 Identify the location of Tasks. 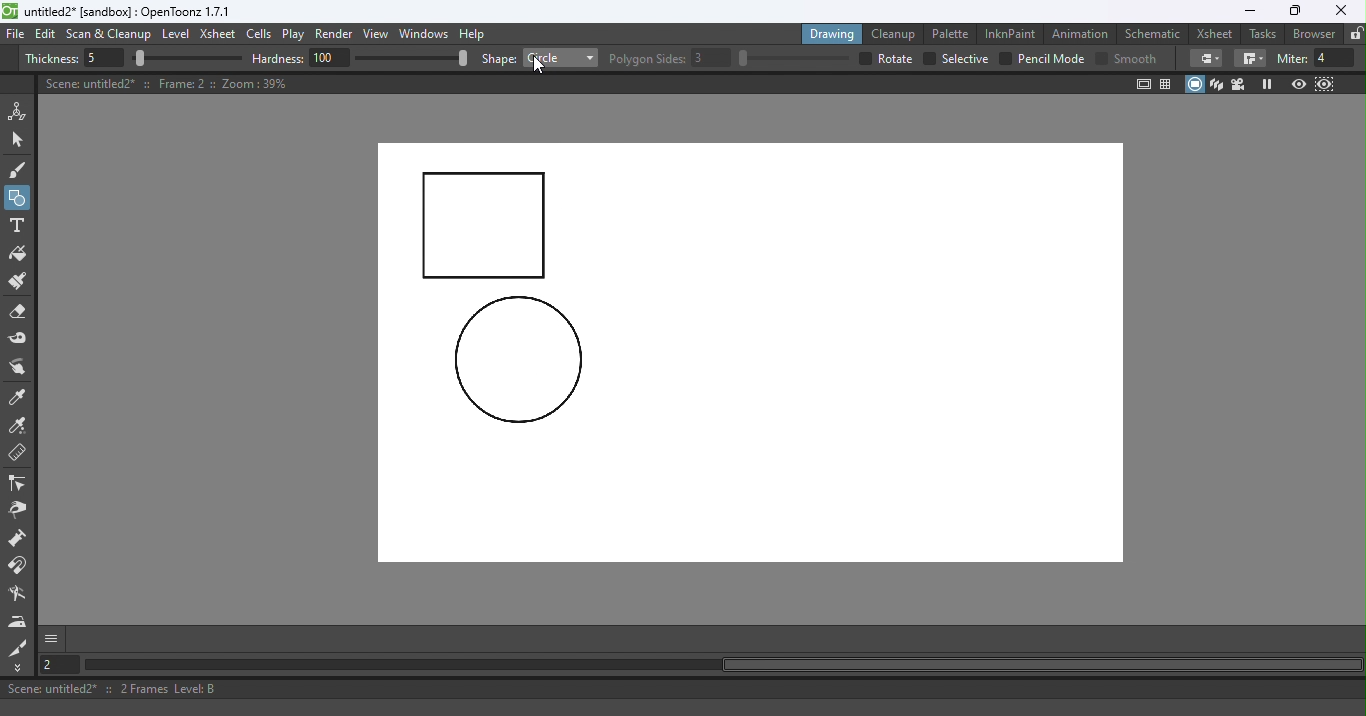
(1264, 34).